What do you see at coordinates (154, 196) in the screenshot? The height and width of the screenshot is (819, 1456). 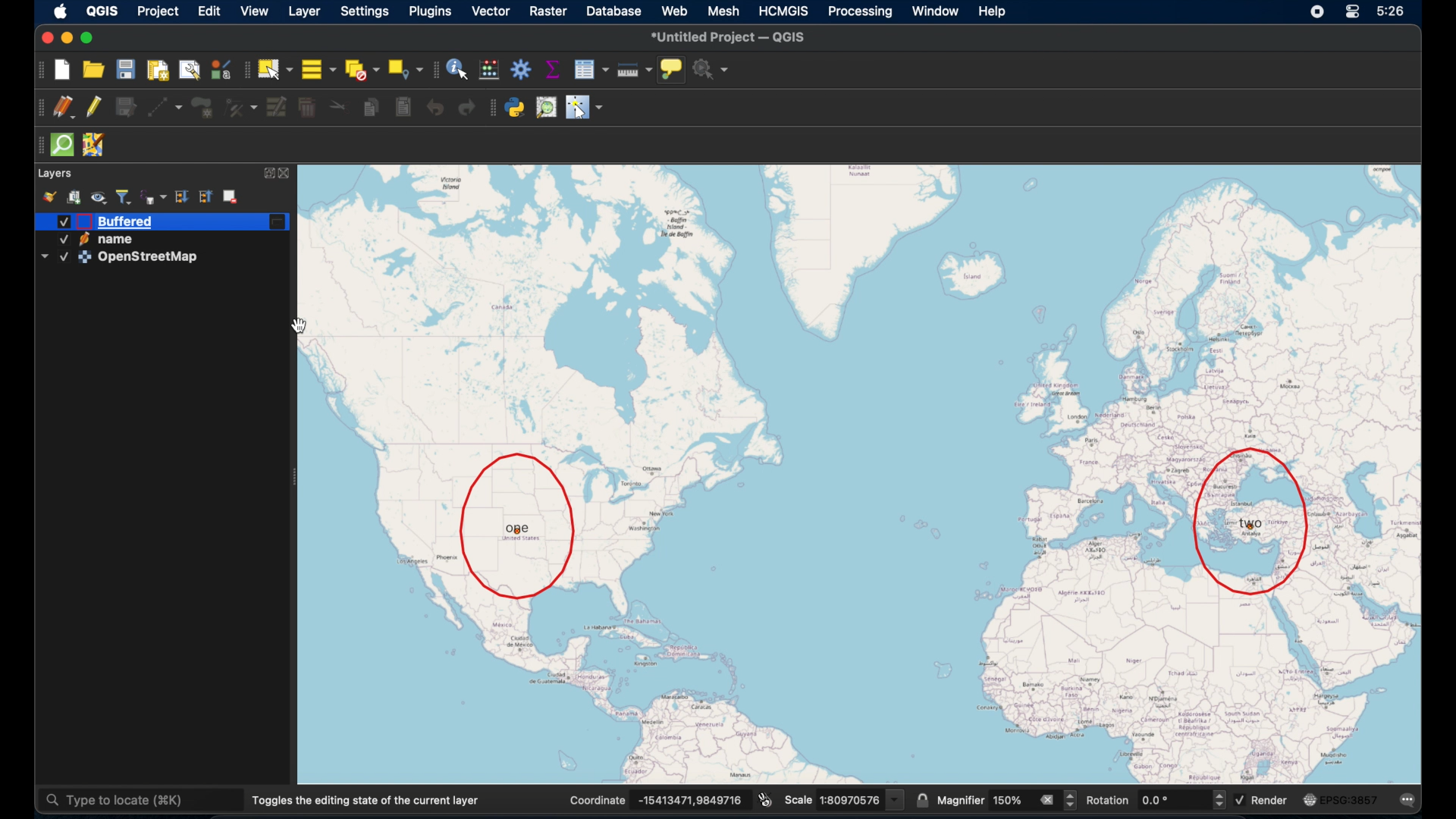 I see `filter legend by expression` at bounding box center [154, 196].